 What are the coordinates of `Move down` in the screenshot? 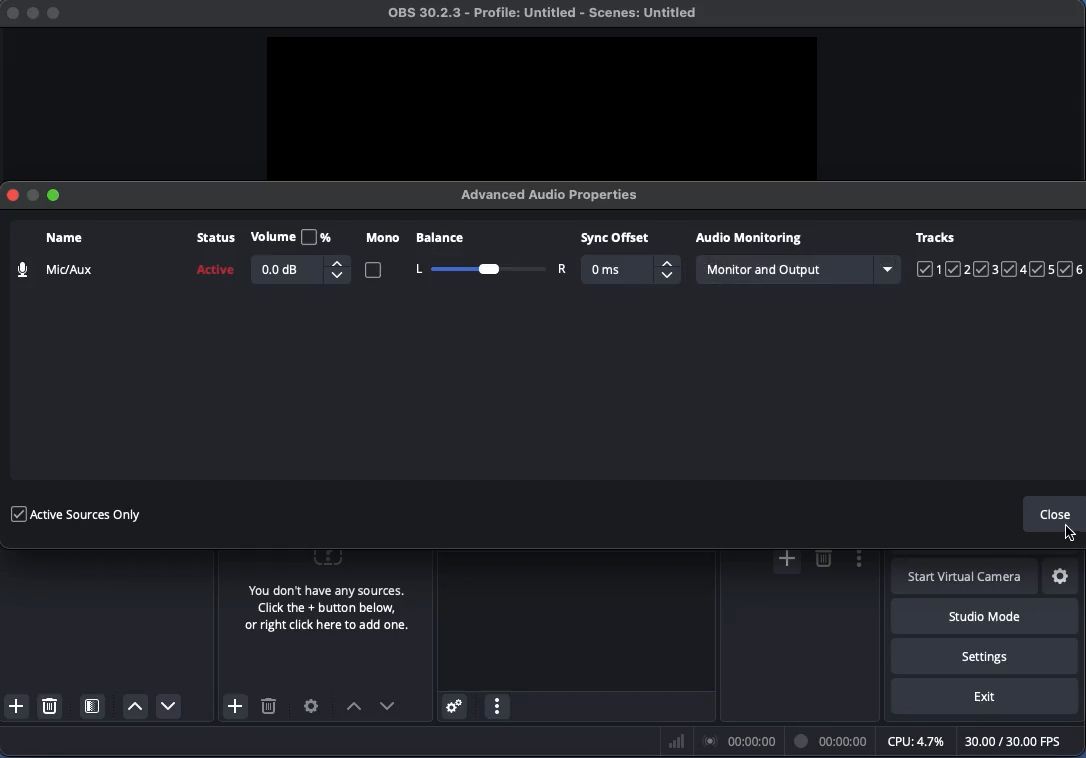 It's located at (388, 706).